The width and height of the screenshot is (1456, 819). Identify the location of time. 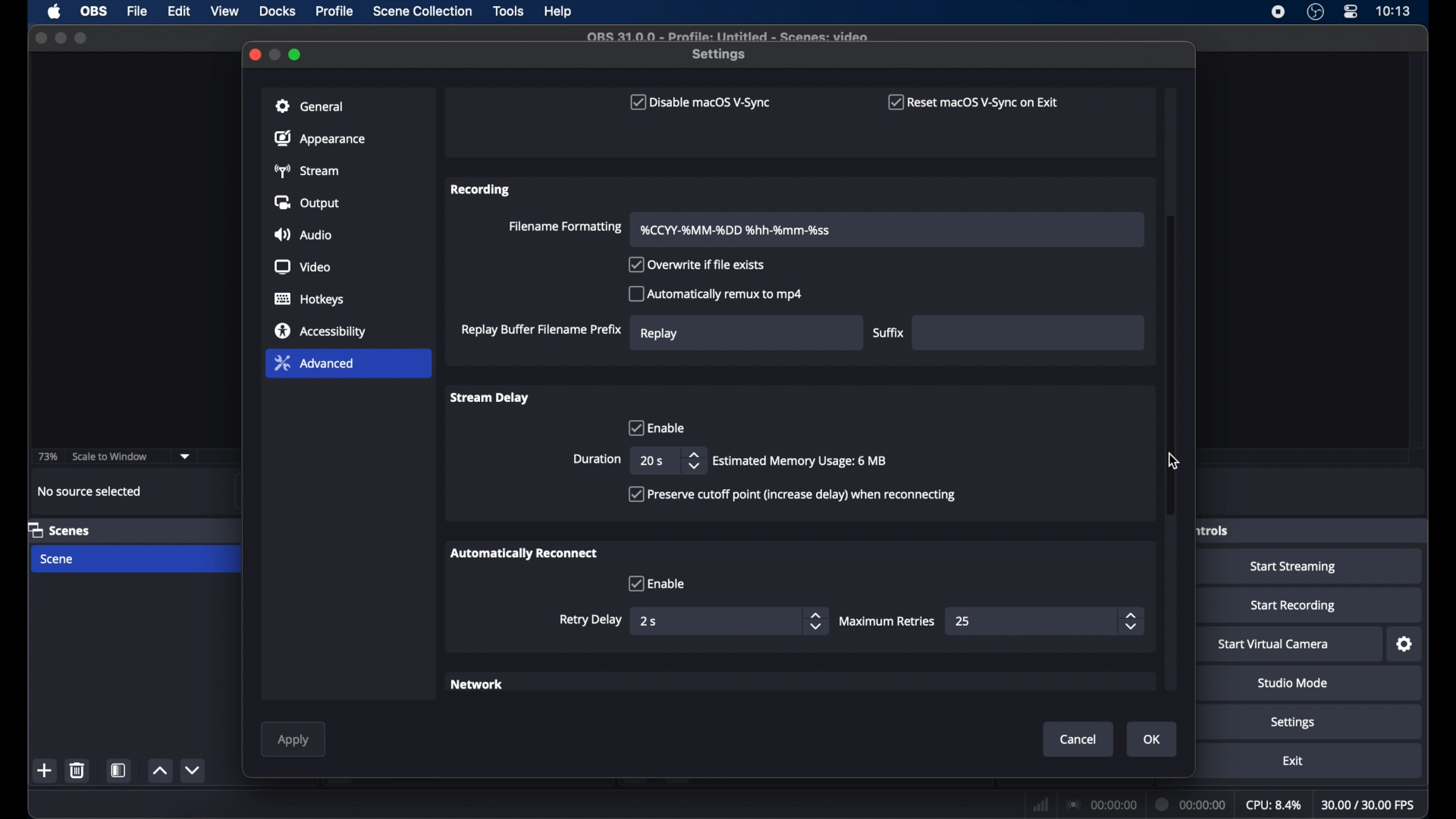
(1393, 11).